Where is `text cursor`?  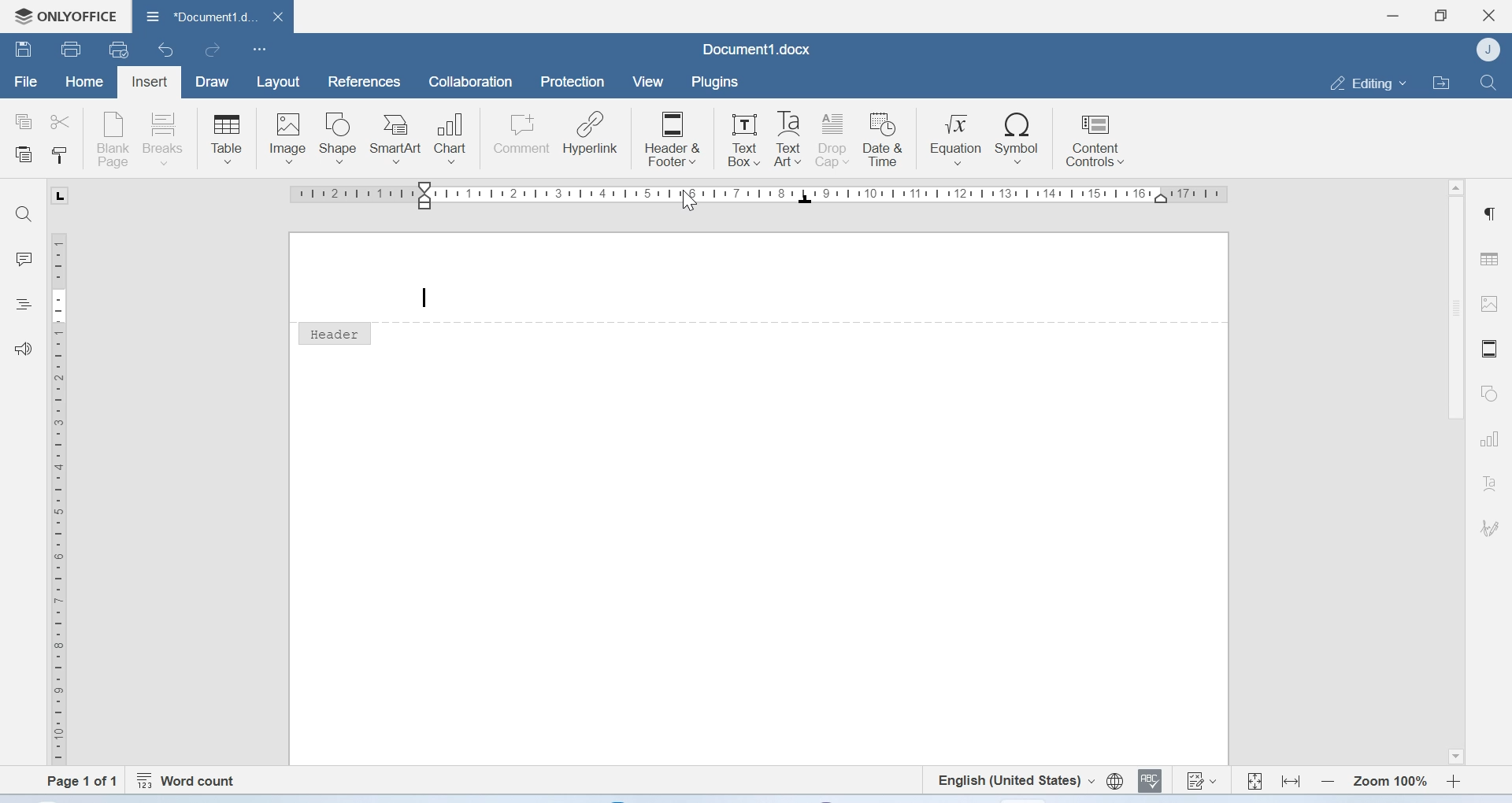
text cursor is located at coordinates (428, 298).